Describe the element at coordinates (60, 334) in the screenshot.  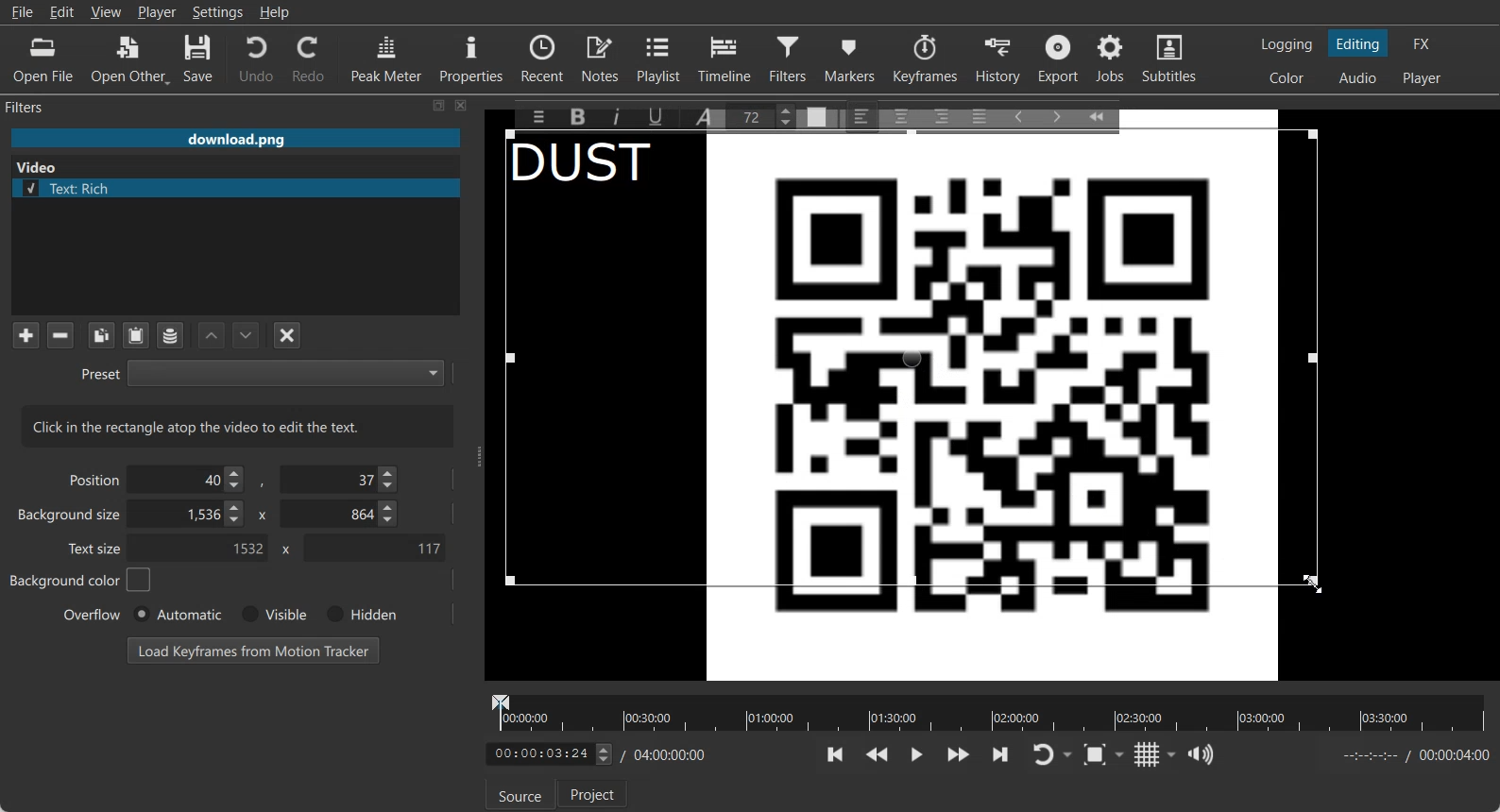
I see `Remove selected Filter` at that location.